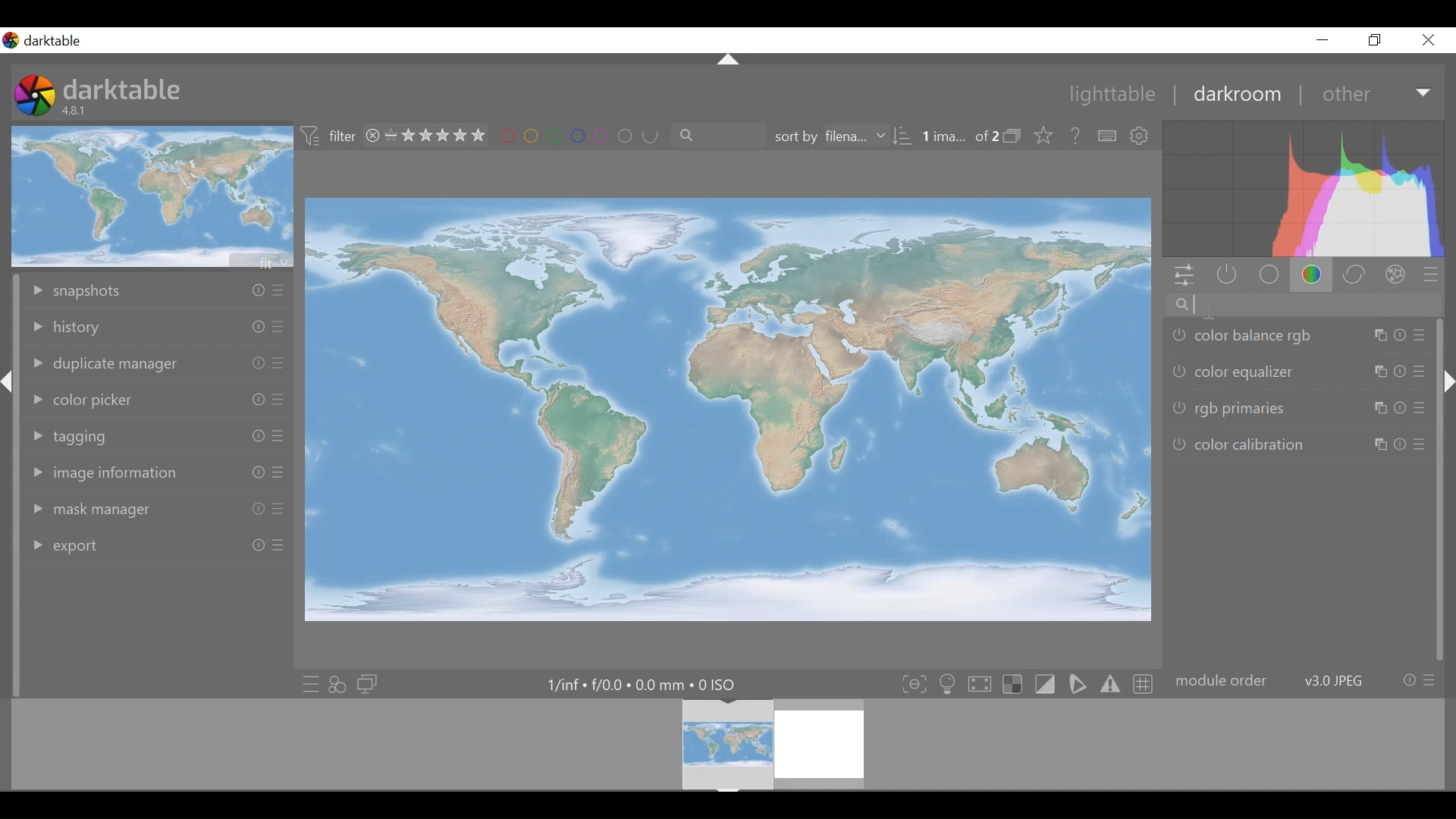 Image resolution: width=1456 pixels, height=819 pixels. I want to click on 1/inf+f/00xmm*0ISO, so click(639, 685).